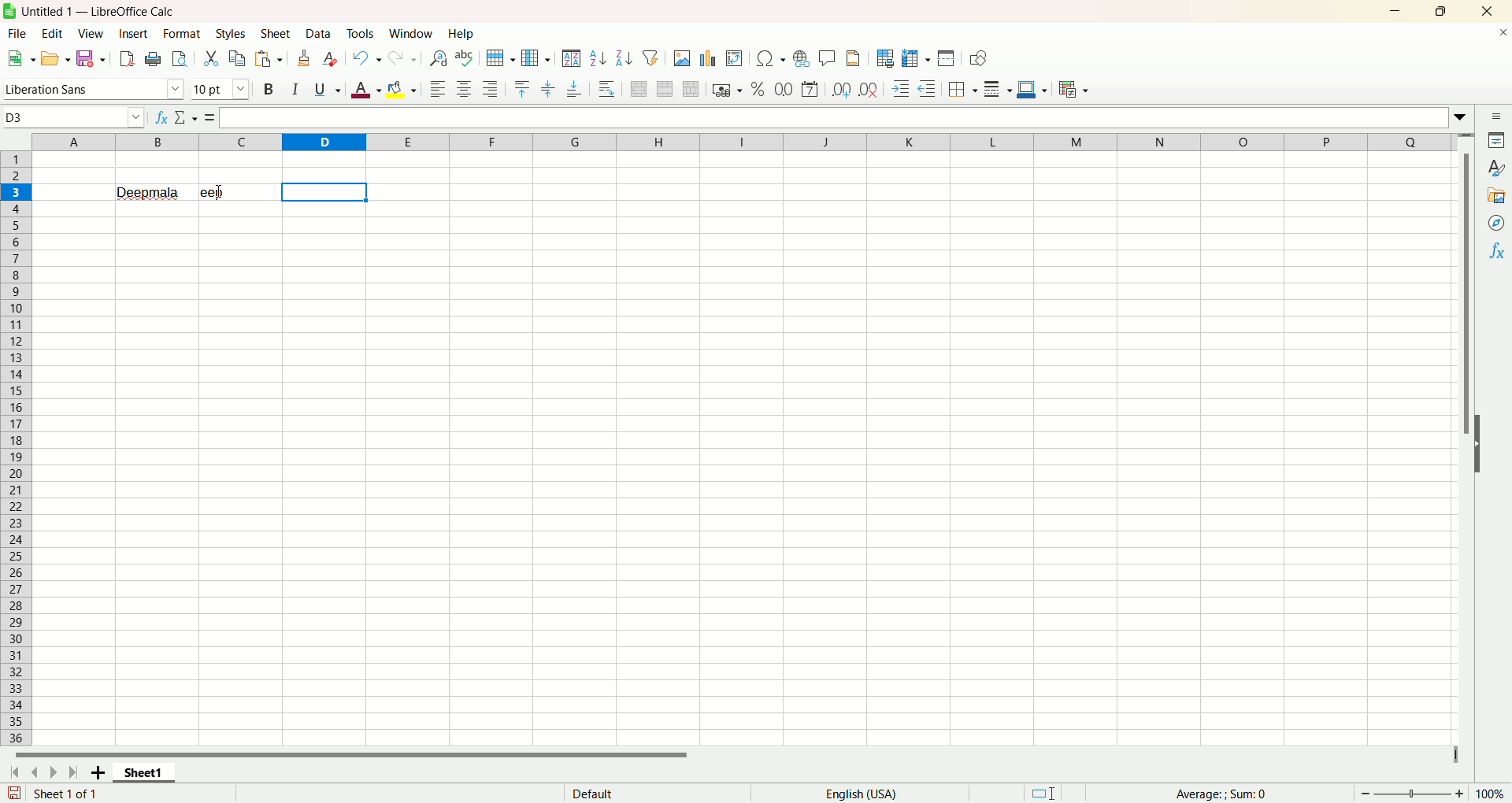 This screenshot has width=1512, height=803. Describe the element at coordinates (1489, 794) in the screenshot. I see `100%` at that location.